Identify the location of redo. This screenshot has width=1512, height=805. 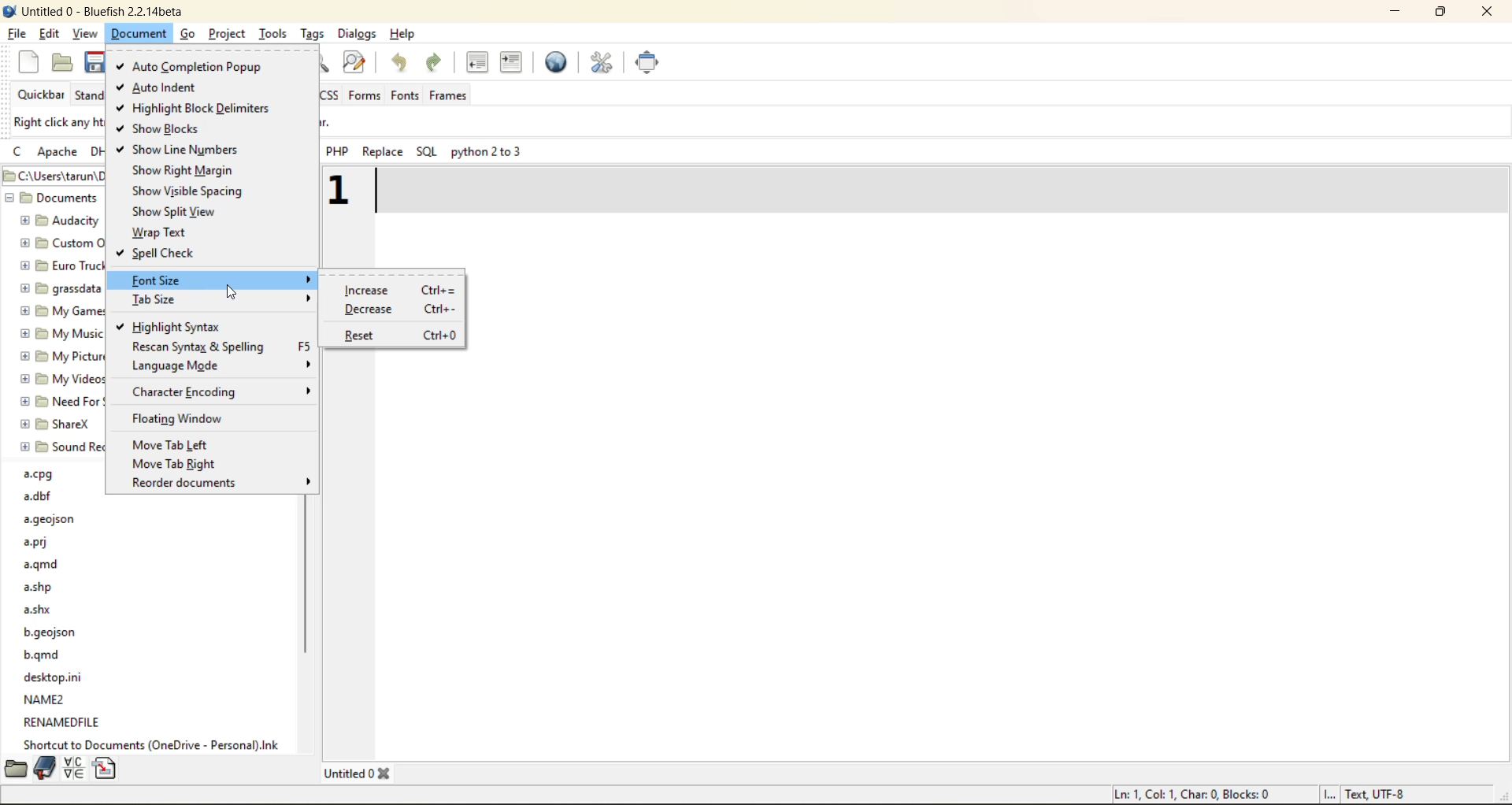
(432, 61).